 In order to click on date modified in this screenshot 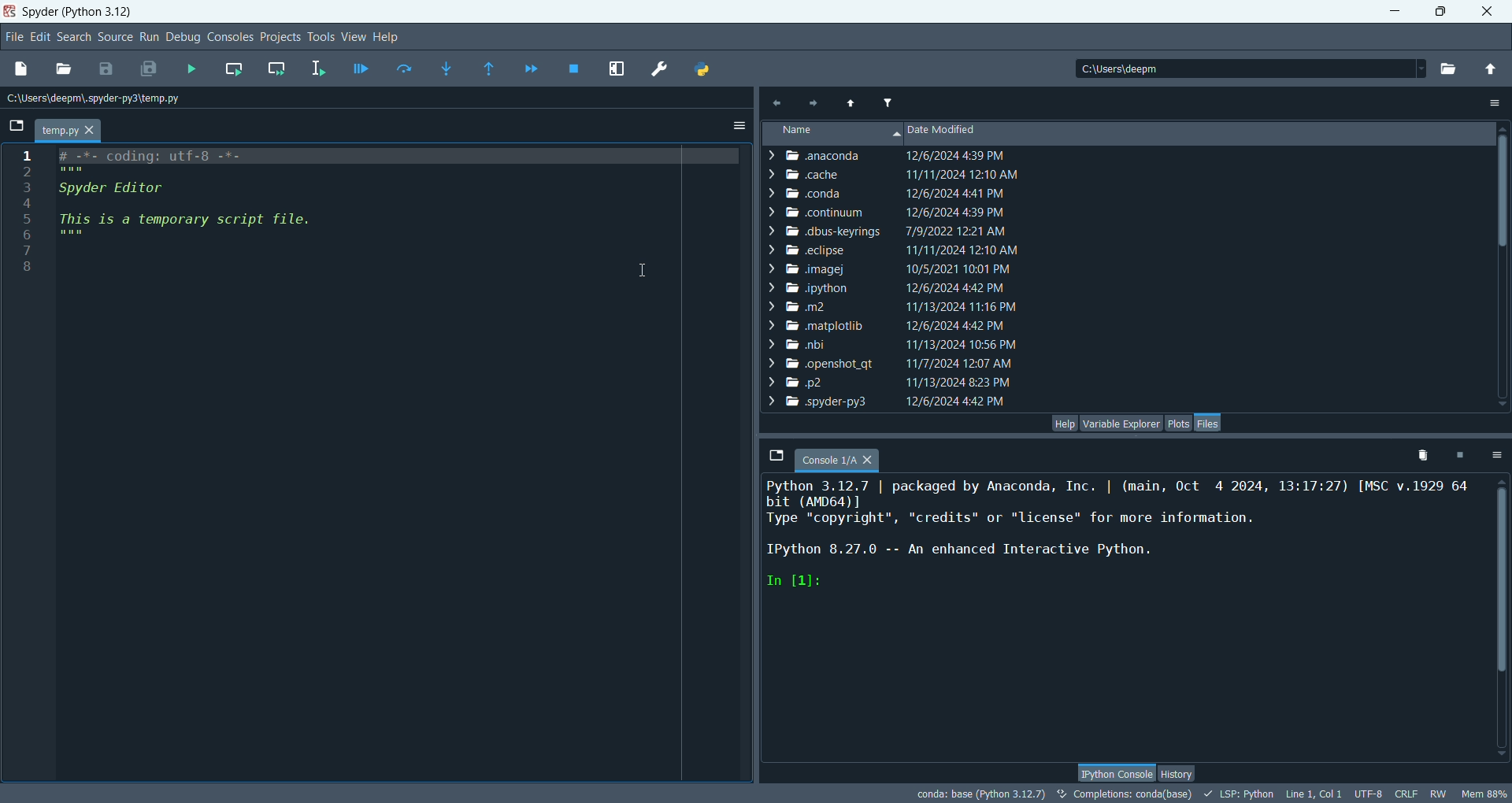, I will do `click(1197, 134)`.